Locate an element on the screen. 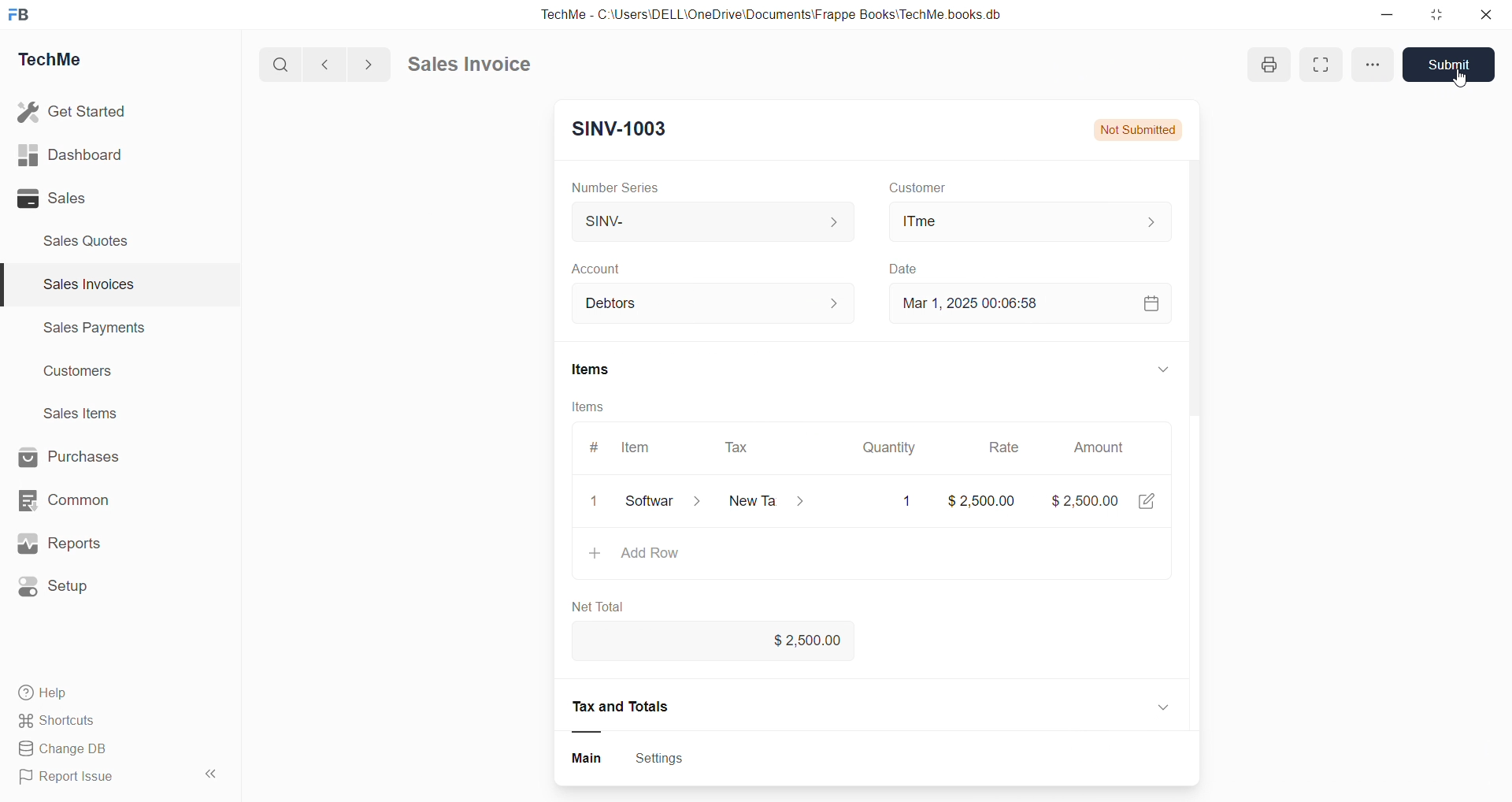 The height and width of the screenshot is (802, 1512). & Get Started is located at coordinates (74, 110).